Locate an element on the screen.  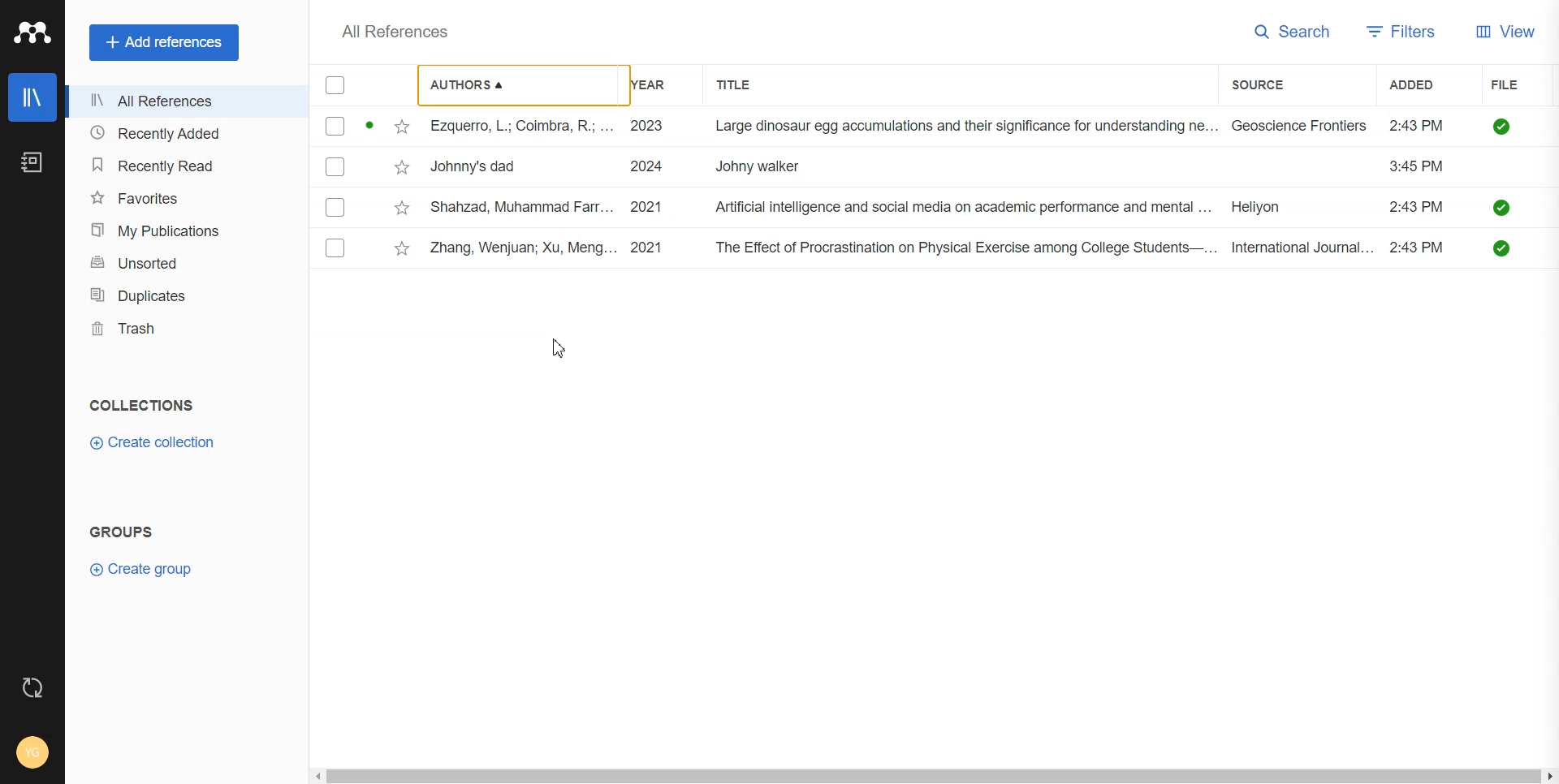
Create Collection is located at coordinates (155, 442).